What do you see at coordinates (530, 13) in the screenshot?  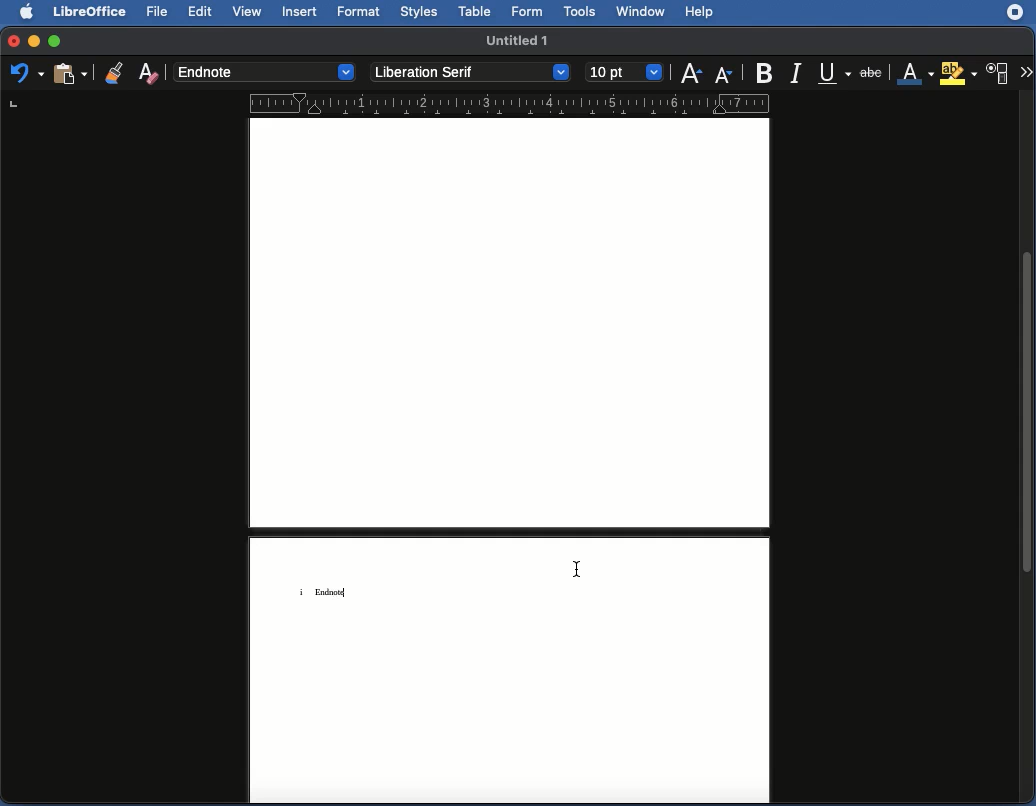 I see `Form` at bounding box center [530, 13].